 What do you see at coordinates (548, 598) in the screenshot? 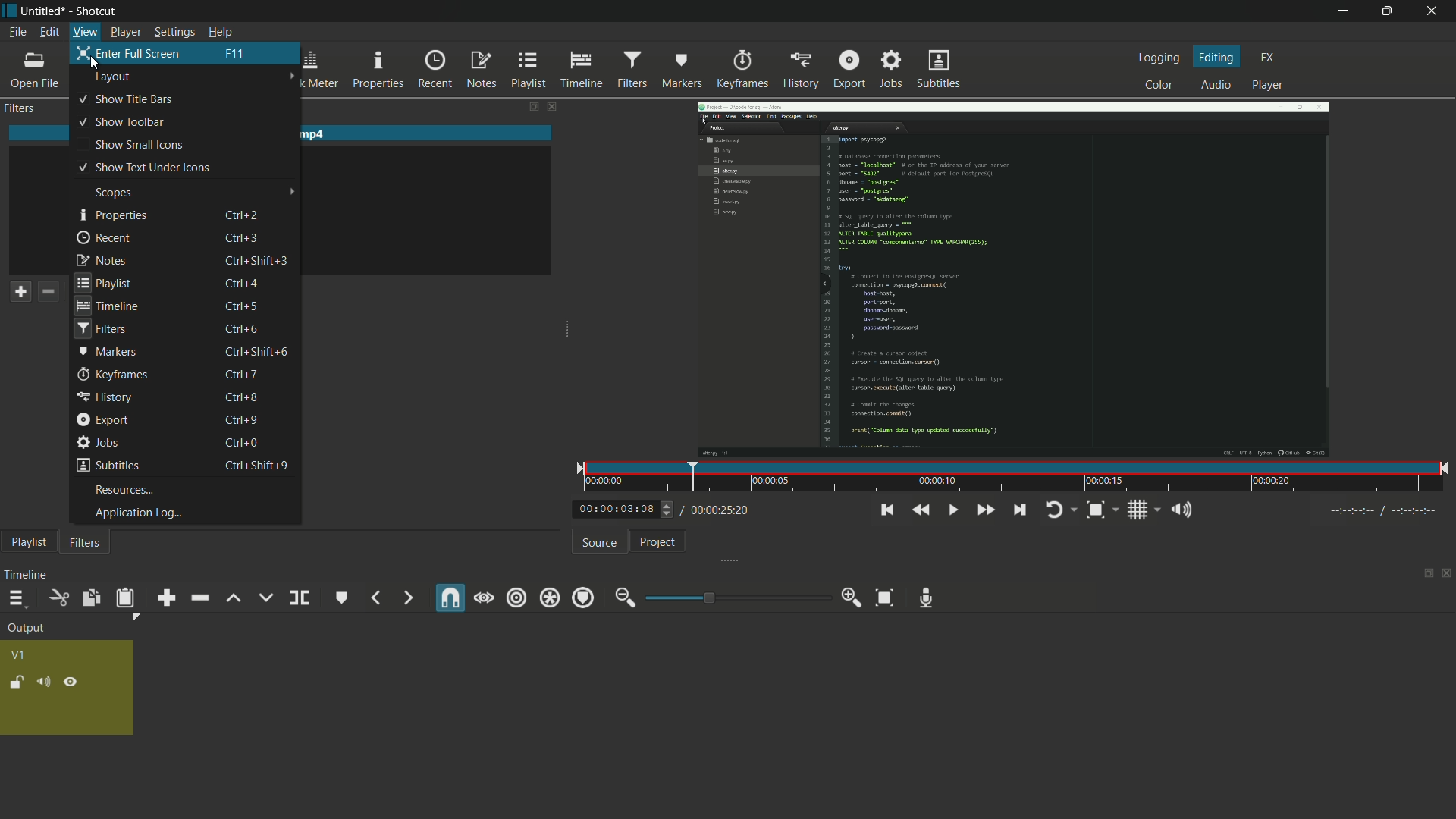
I see `ripple all track` at bounding box center [548, 598].